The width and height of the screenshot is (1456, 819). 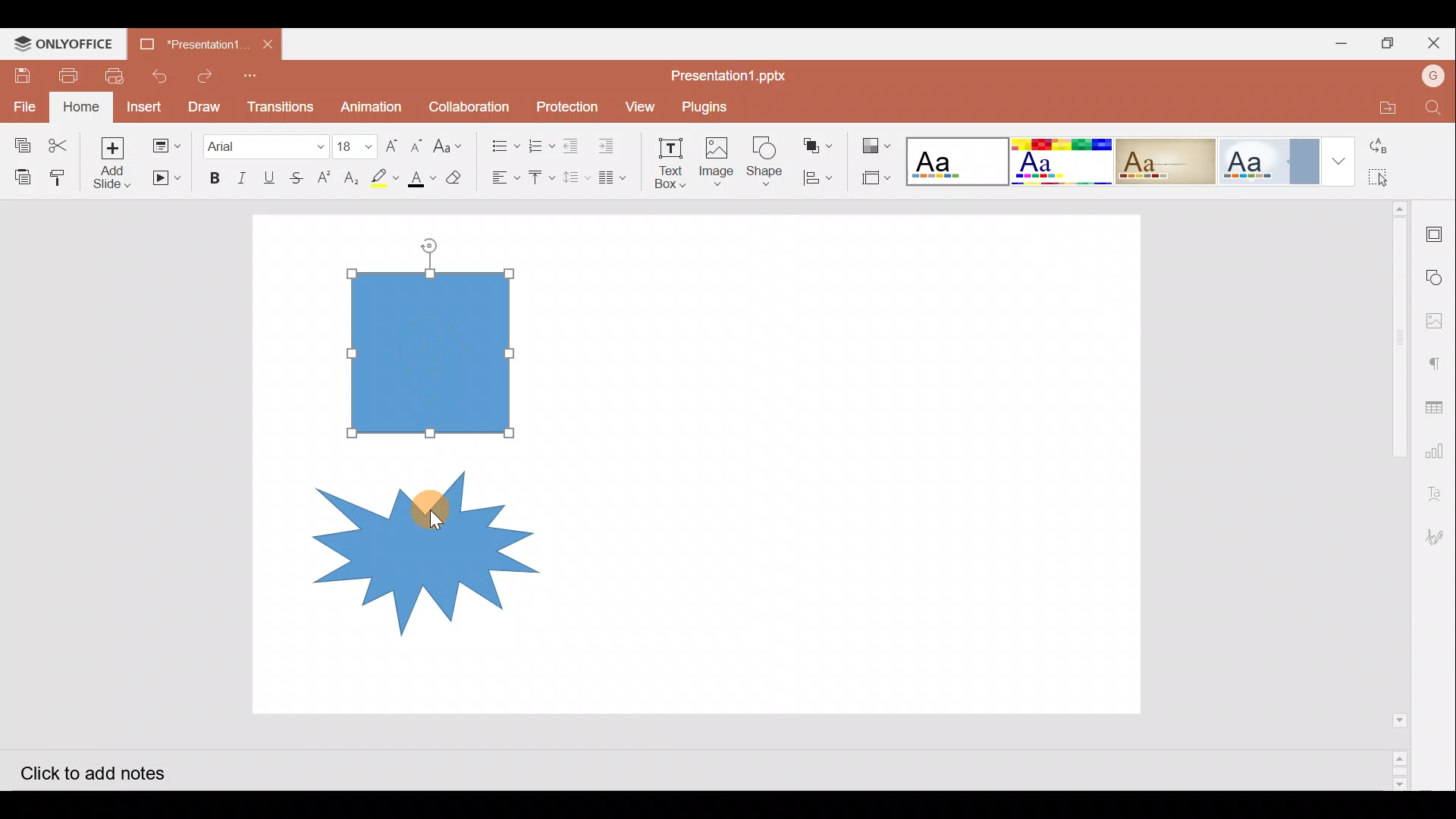 I want to click on File, so click(x=21, y=103).